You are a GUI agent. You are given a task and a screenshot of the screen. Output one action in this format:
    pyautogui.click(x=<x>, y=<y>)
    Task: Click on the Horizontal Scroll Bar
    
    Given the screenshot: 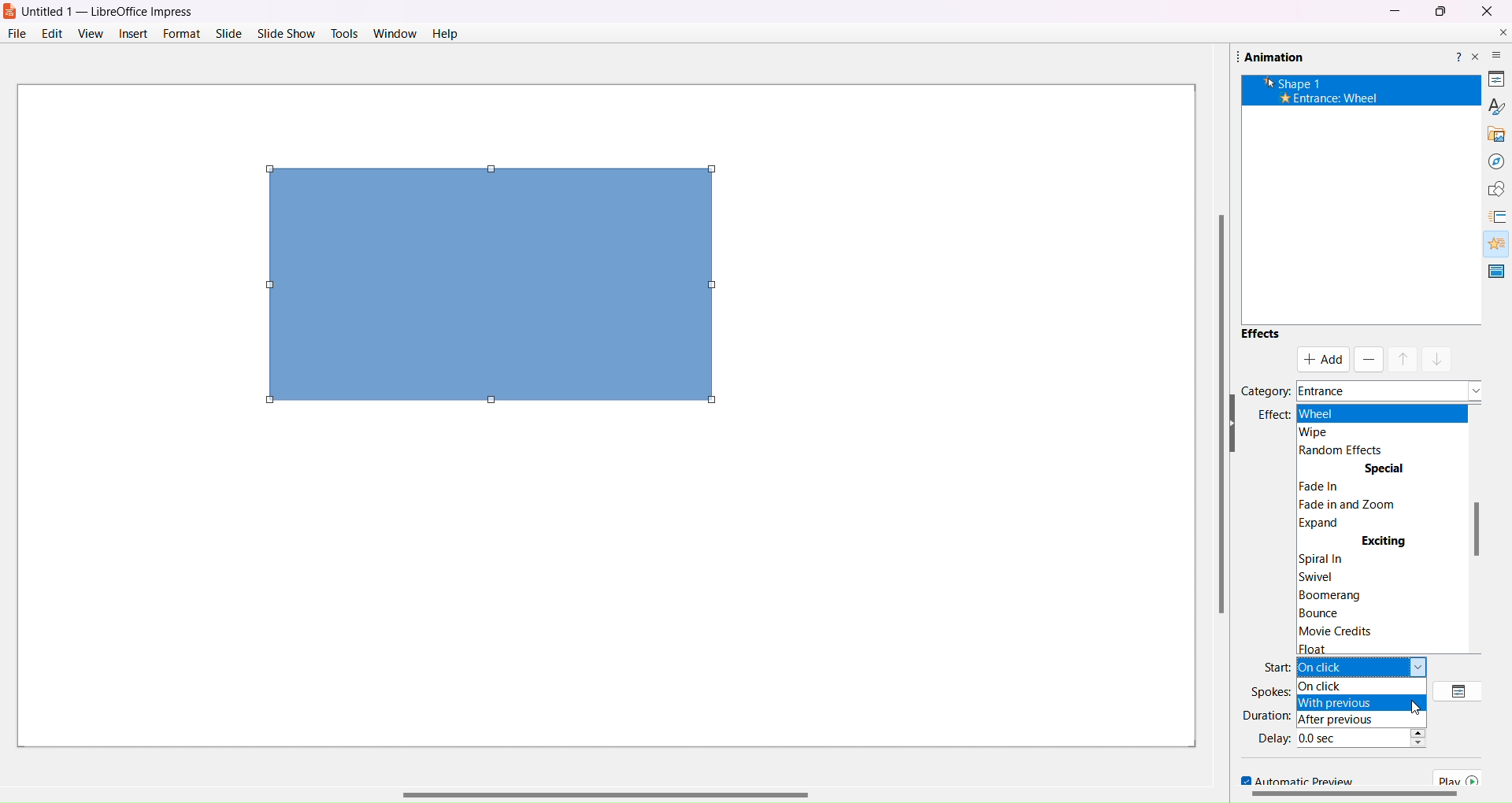 What is the action you would take?
    pyautogui.click(x=655, y=790)
    